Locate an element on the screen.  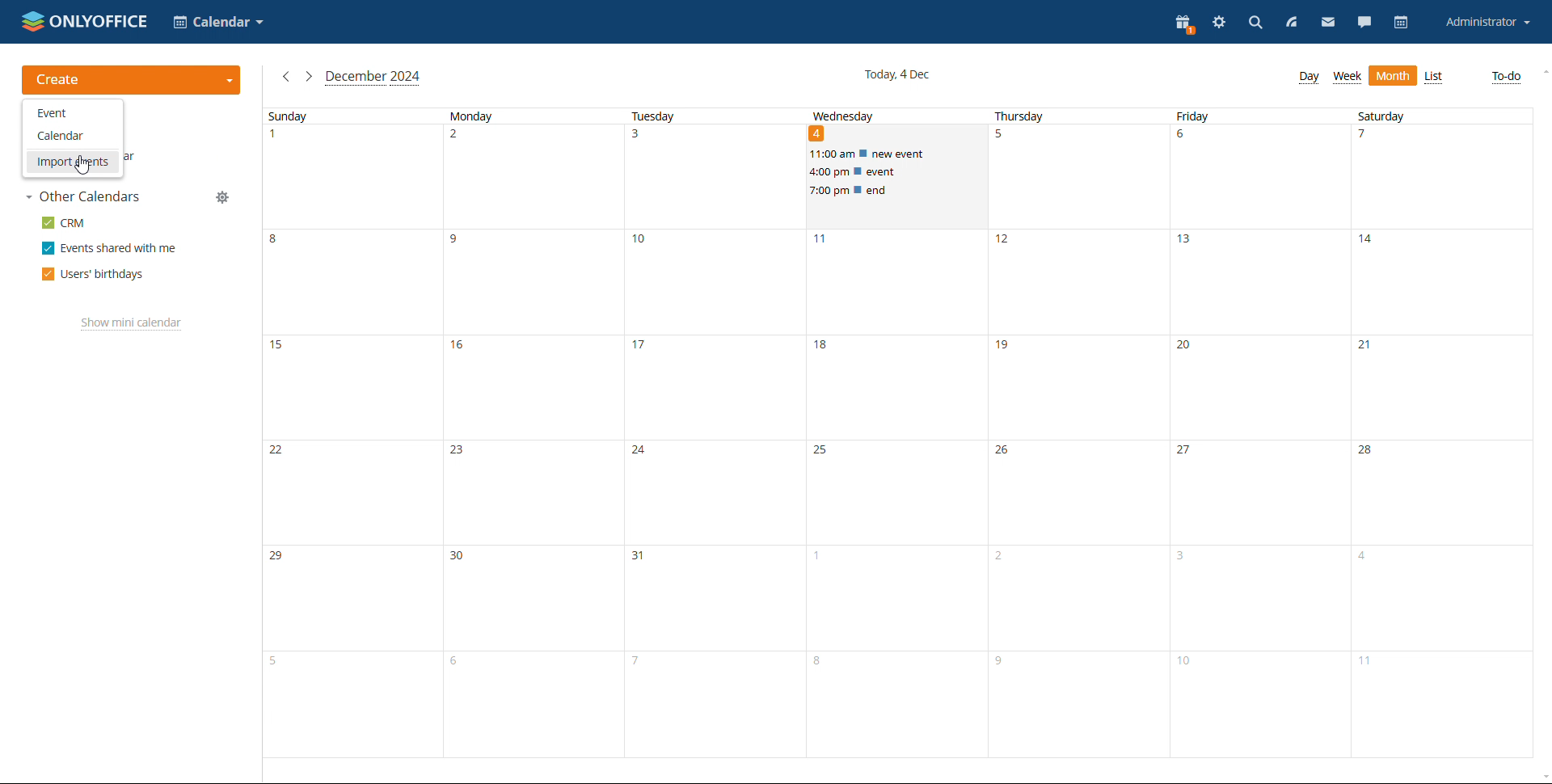
import events is located at coordinates (72, 162).